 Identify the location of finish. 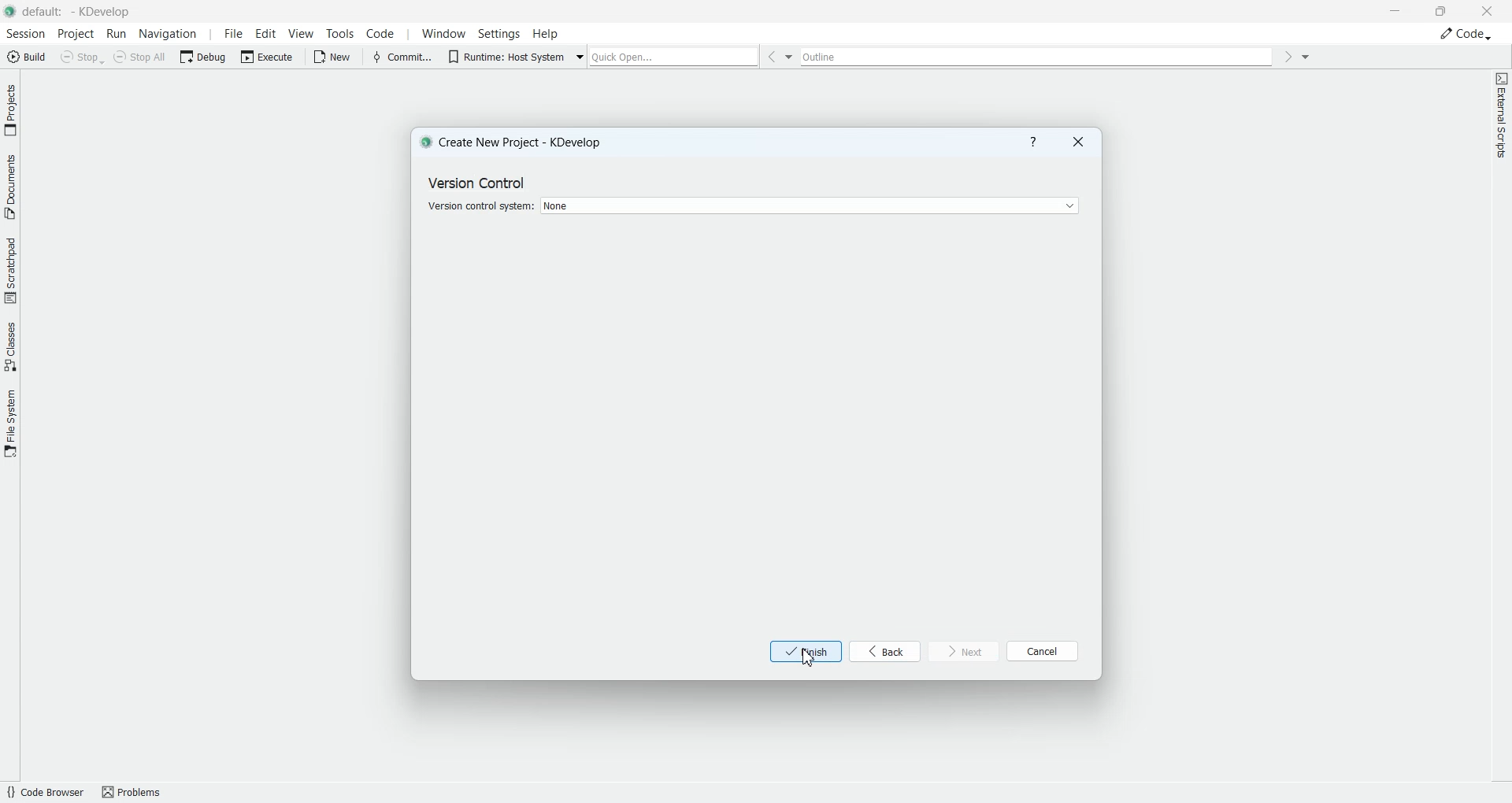
(797, 652).